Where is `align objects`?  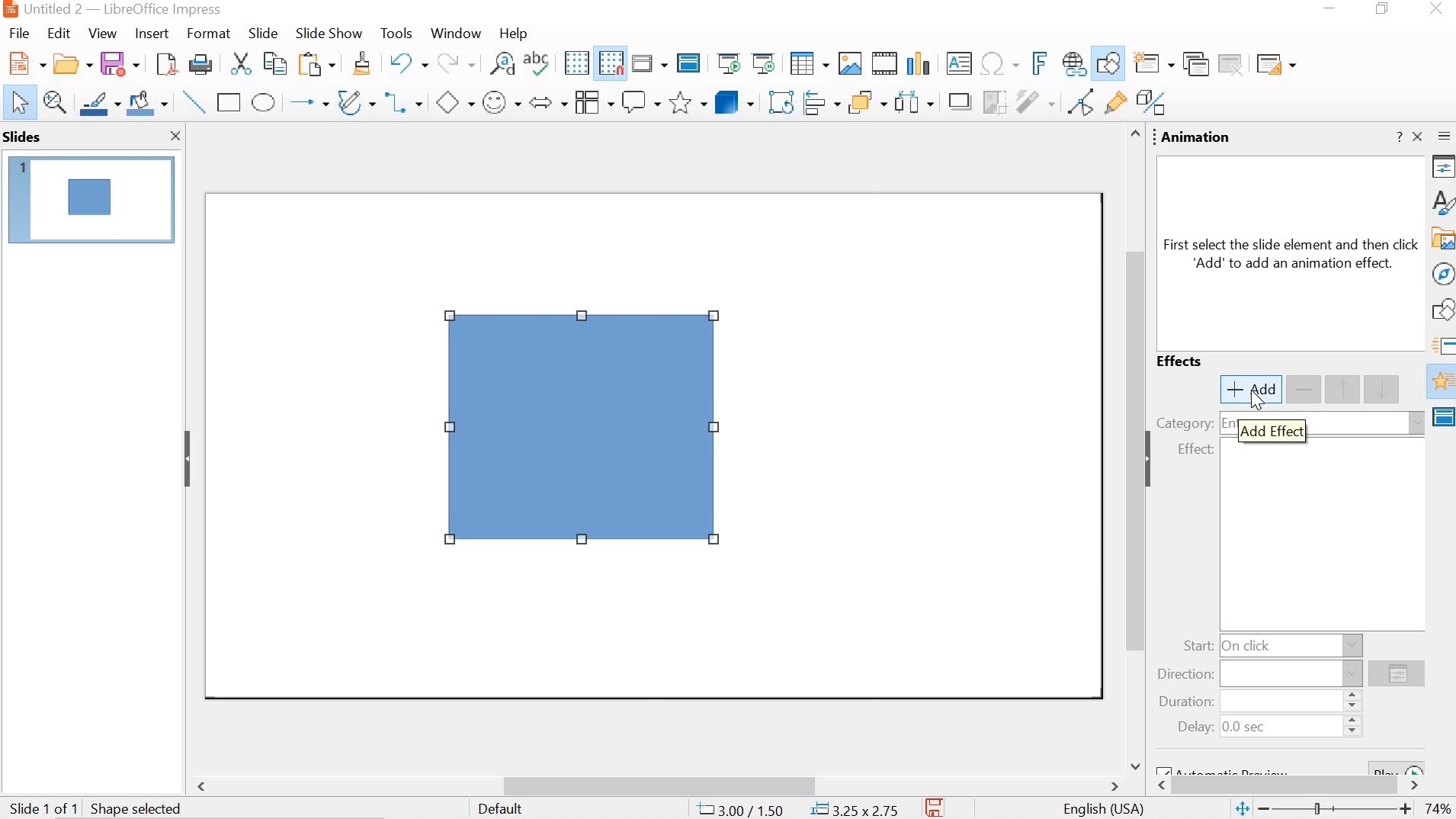
align objects is located at coordinates (822, 100).